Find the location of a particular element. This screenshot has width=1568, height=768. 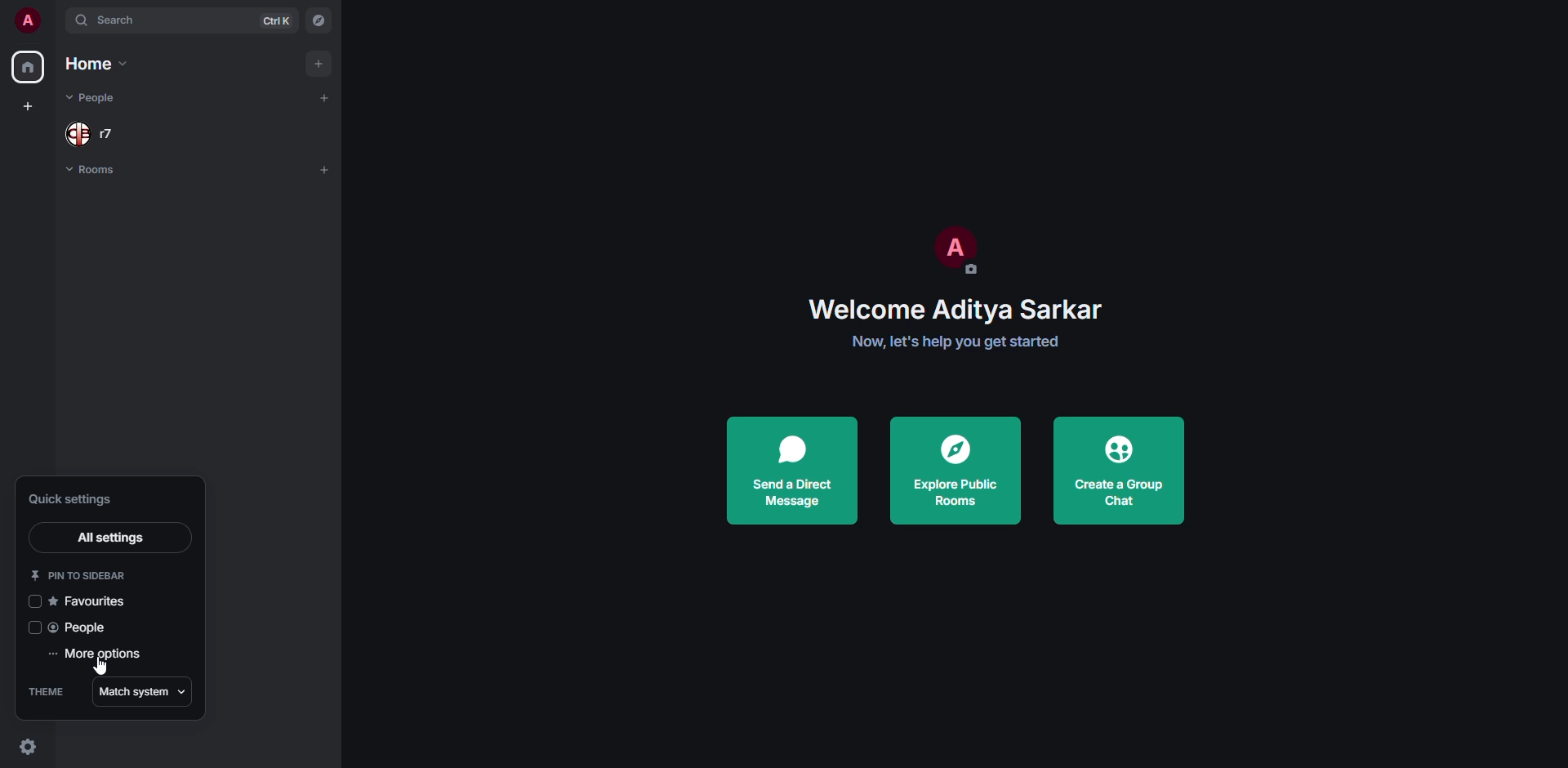

theme is located at coordinates (49, 690).